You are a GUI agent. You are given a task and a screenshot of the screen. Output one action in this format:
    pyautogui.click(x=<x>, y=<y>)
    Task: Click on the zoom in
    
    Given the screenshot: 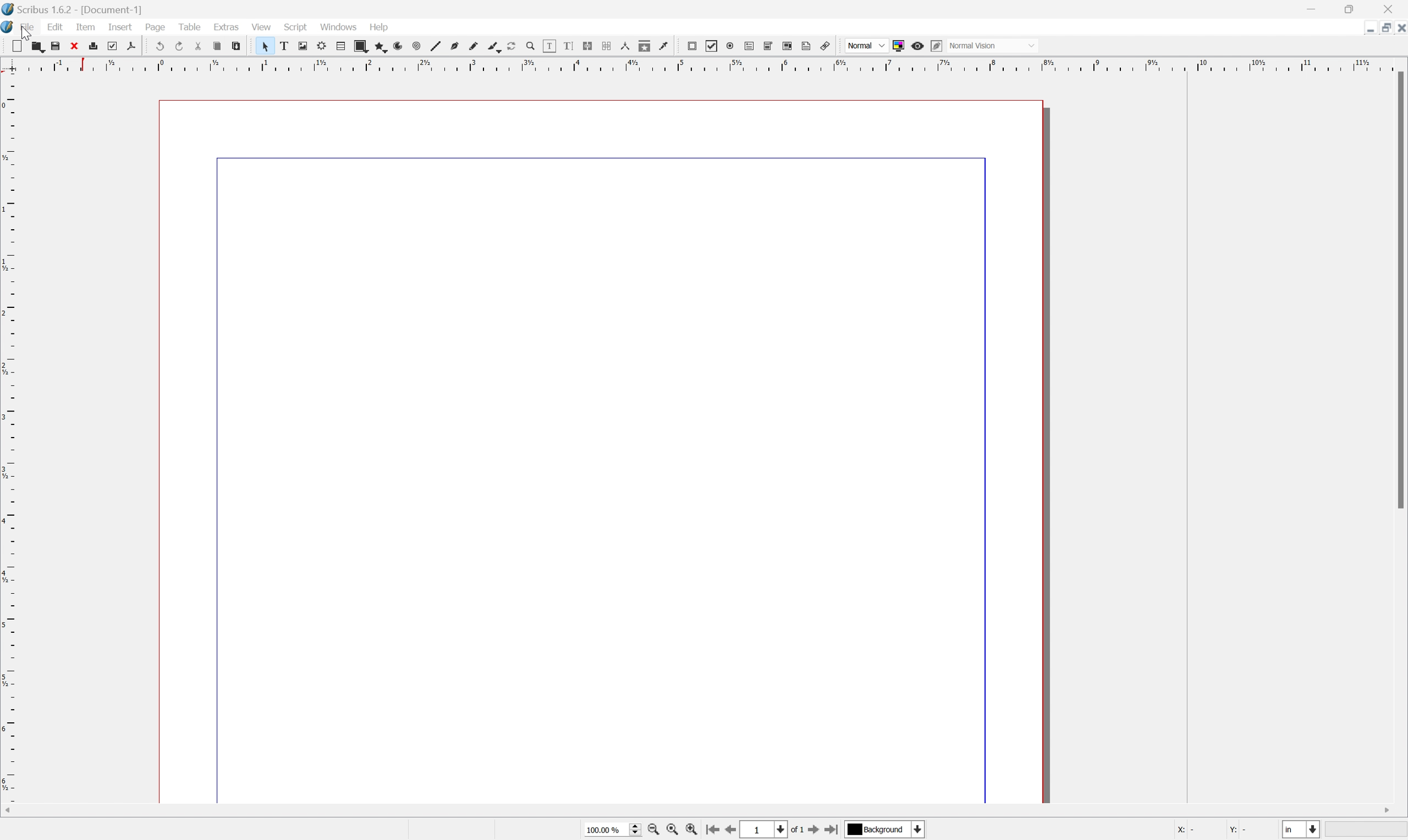 What is the action you would take?
    pyautogui.click(x=695, y=830)
    